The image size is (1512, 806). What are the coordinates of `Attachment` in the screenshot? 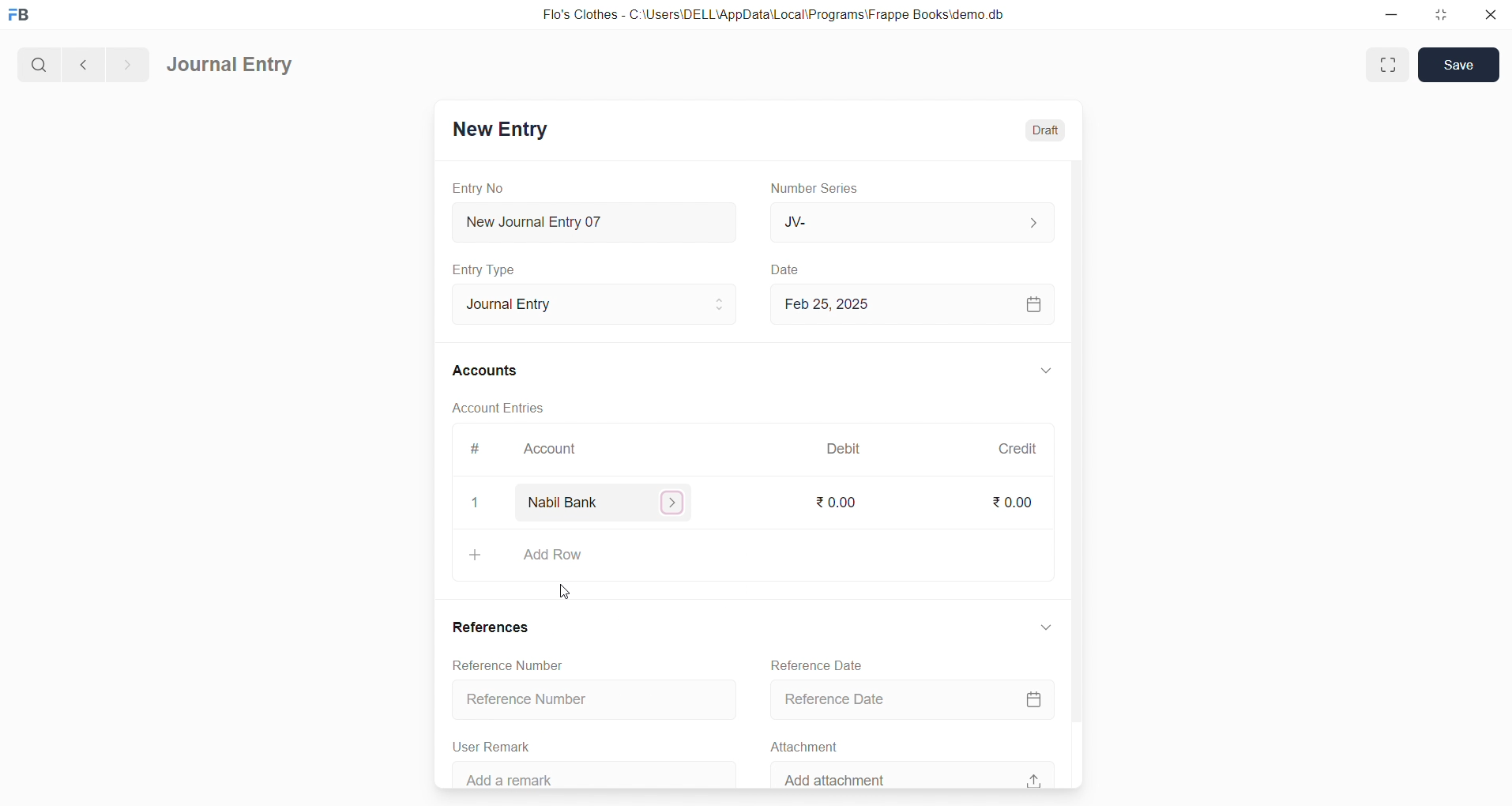 It's located at (805, 745).